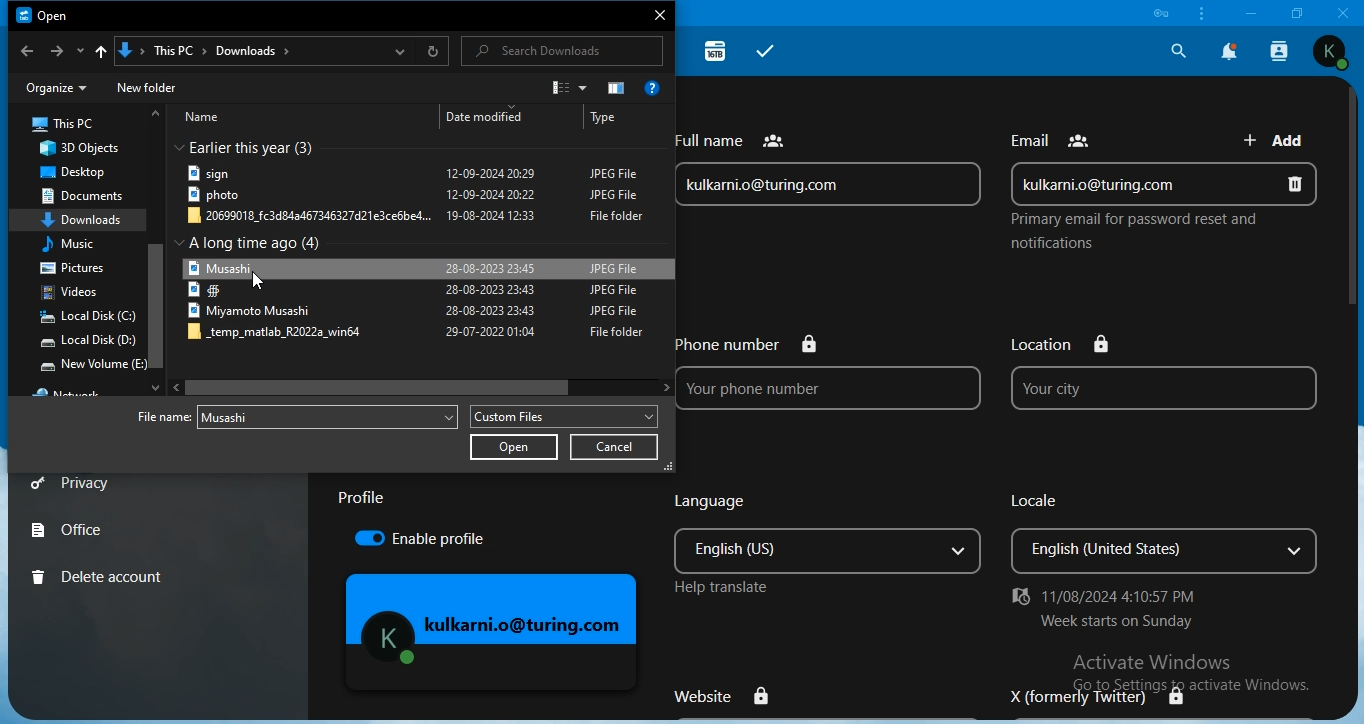  Describe the element at coordinates (100, 51) in the screenshot. I see `` at that location.